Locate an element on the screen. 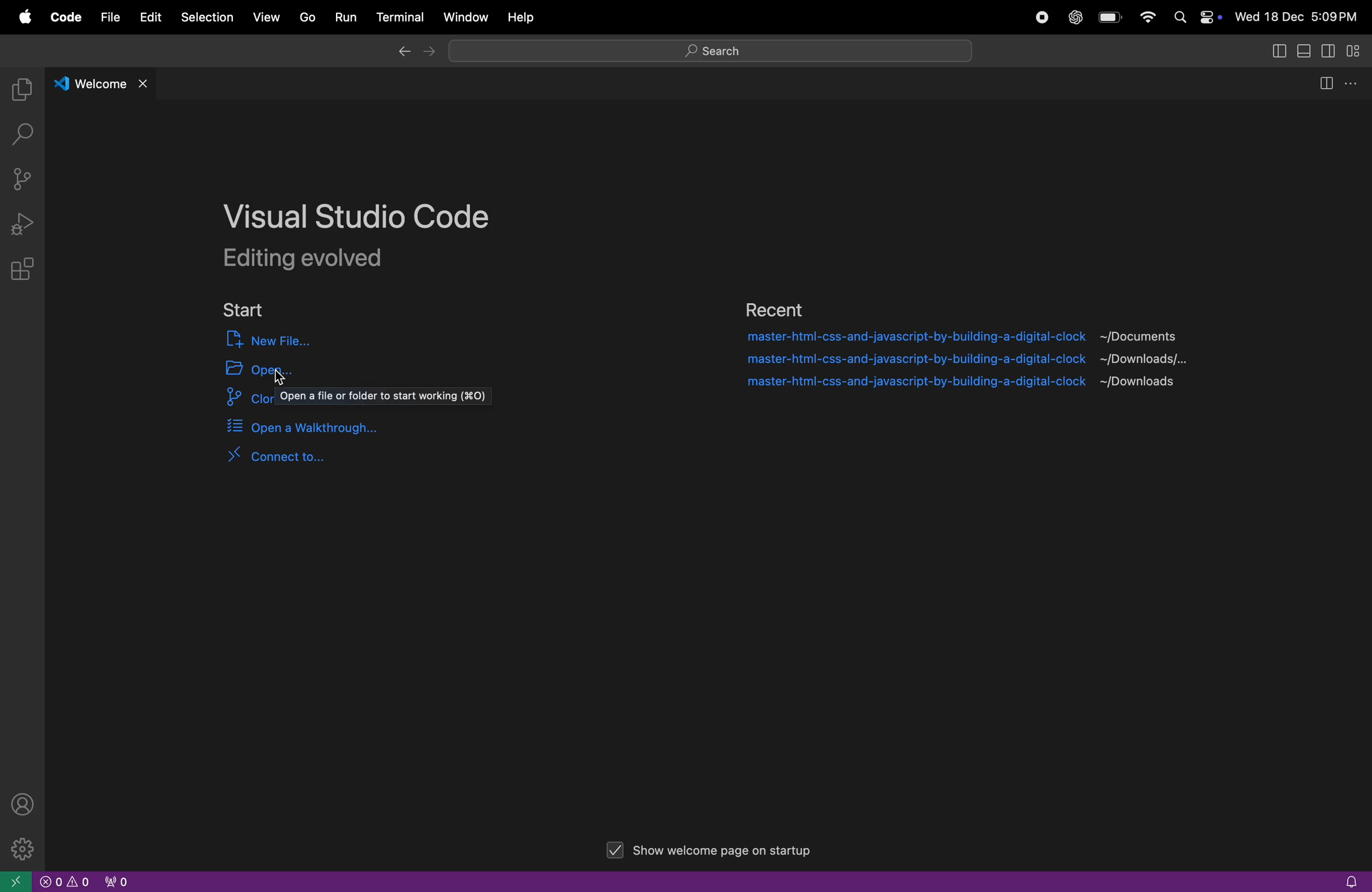  show welcome on start up page is located at coordinates (712, 852).